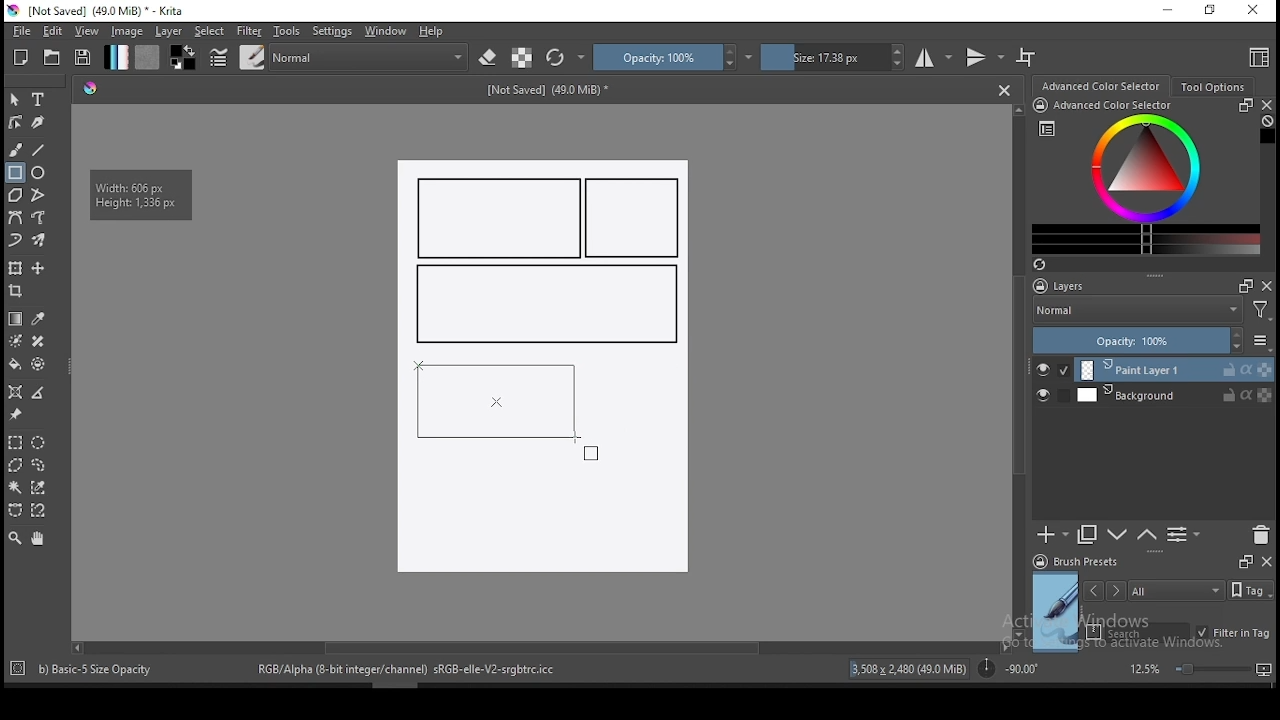 This screenshot has width=1280, height=720. I want to click on scroll bar, so click(539, 646).